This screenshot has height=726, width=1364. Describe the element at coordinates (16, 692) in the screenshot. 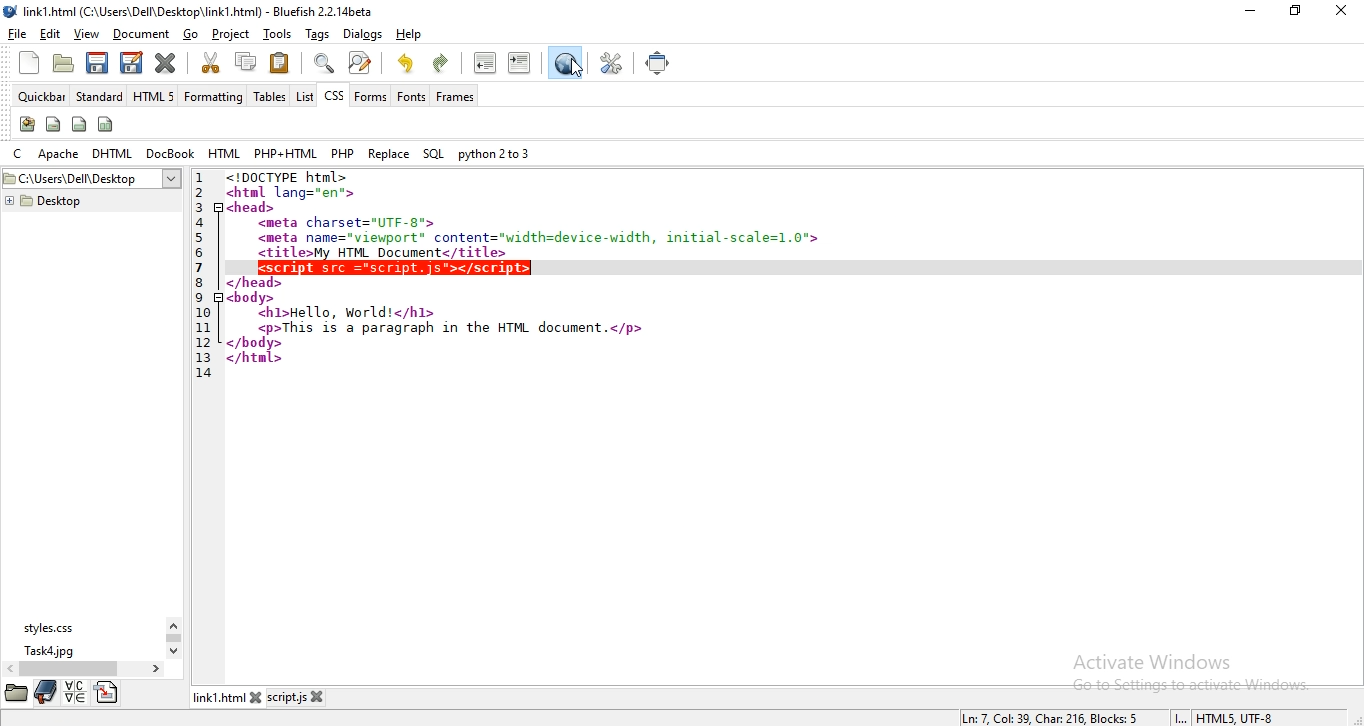

I see `file manager` at that location.